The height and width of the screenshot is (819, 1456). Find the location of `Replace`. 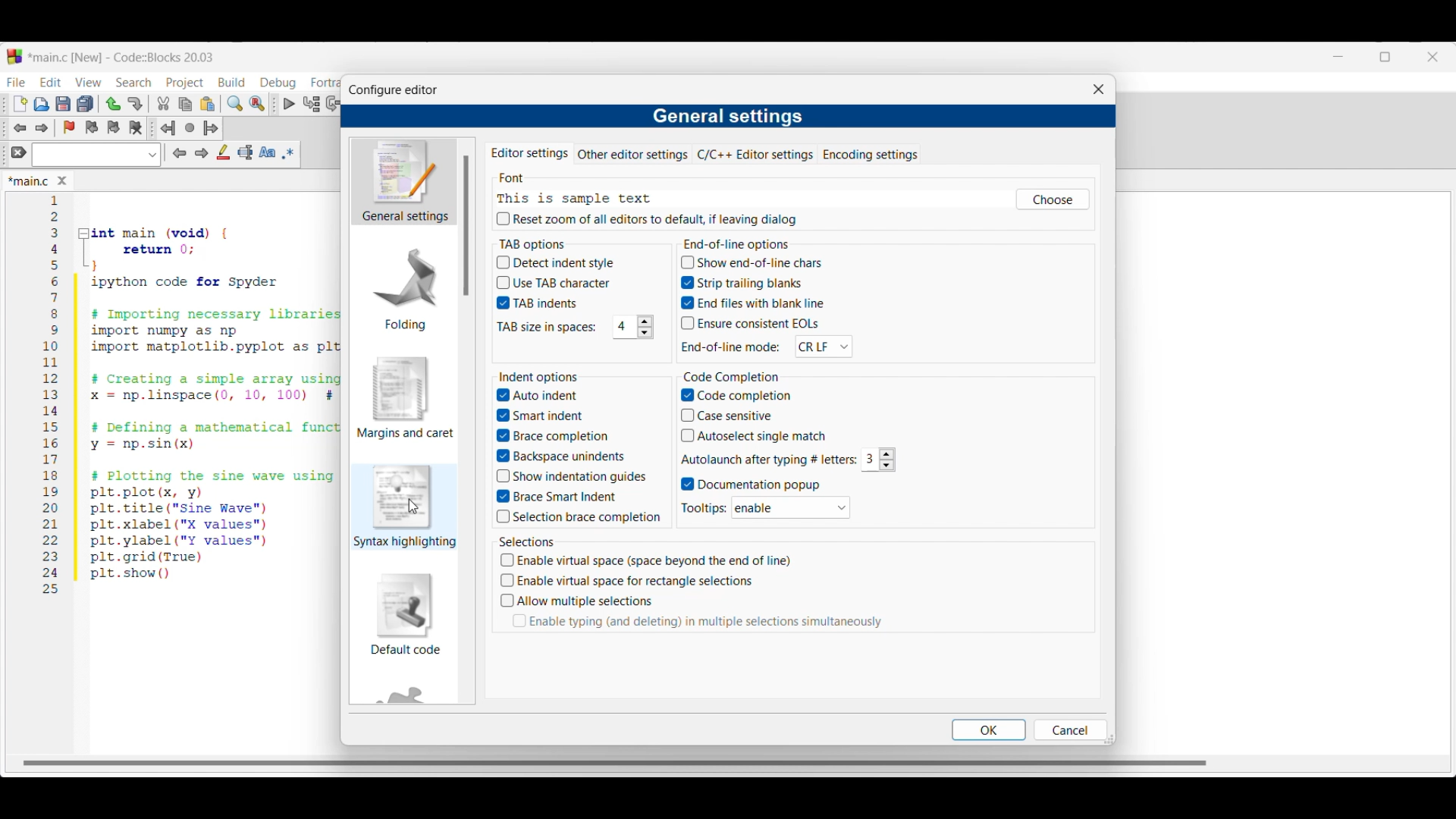

Replace is located at coordinates (257, 104).